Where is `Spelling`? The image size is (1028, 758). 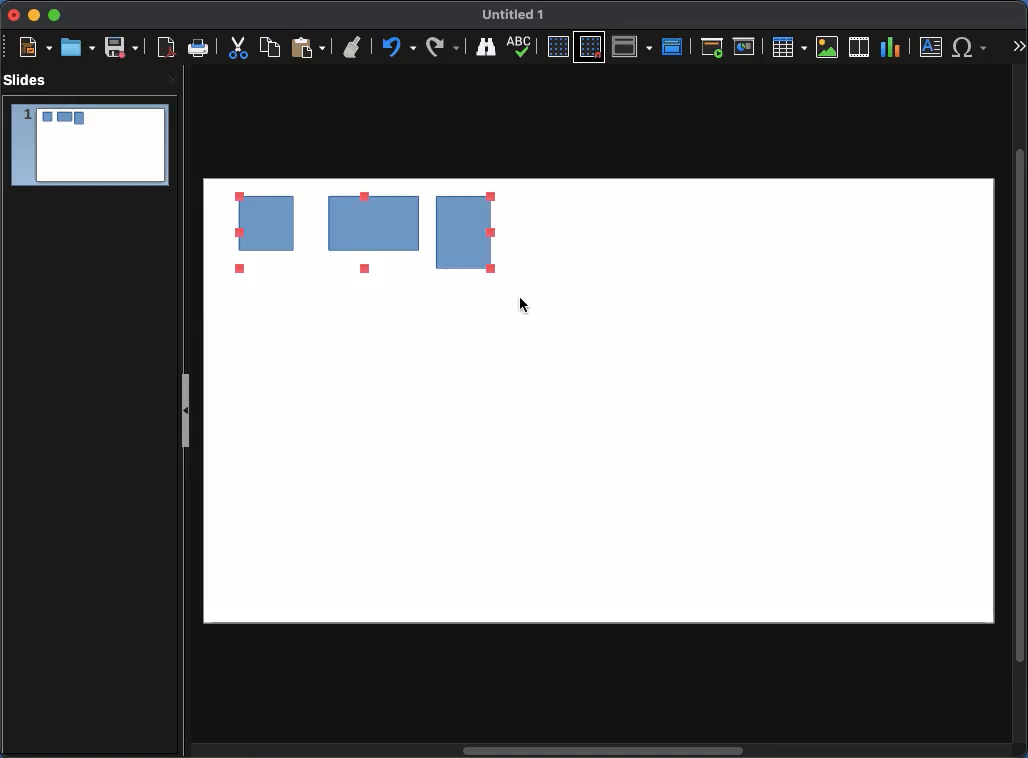 Spelling is located at coordinates (485, 47).